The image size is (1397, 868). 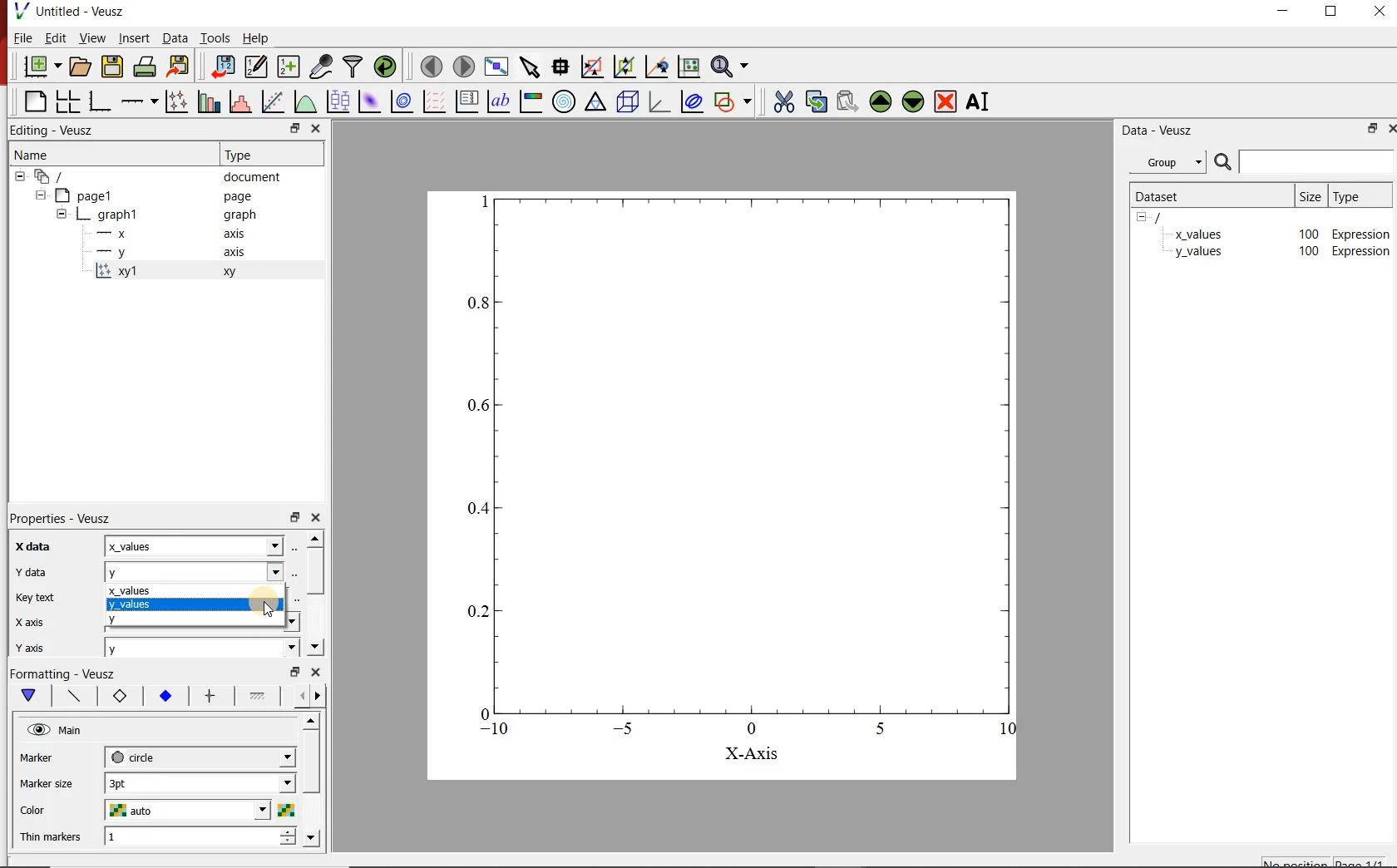 What do you see at coordinates (120, 214) in the screenshot?
I see `graph1` at bounding box center [120, 214].